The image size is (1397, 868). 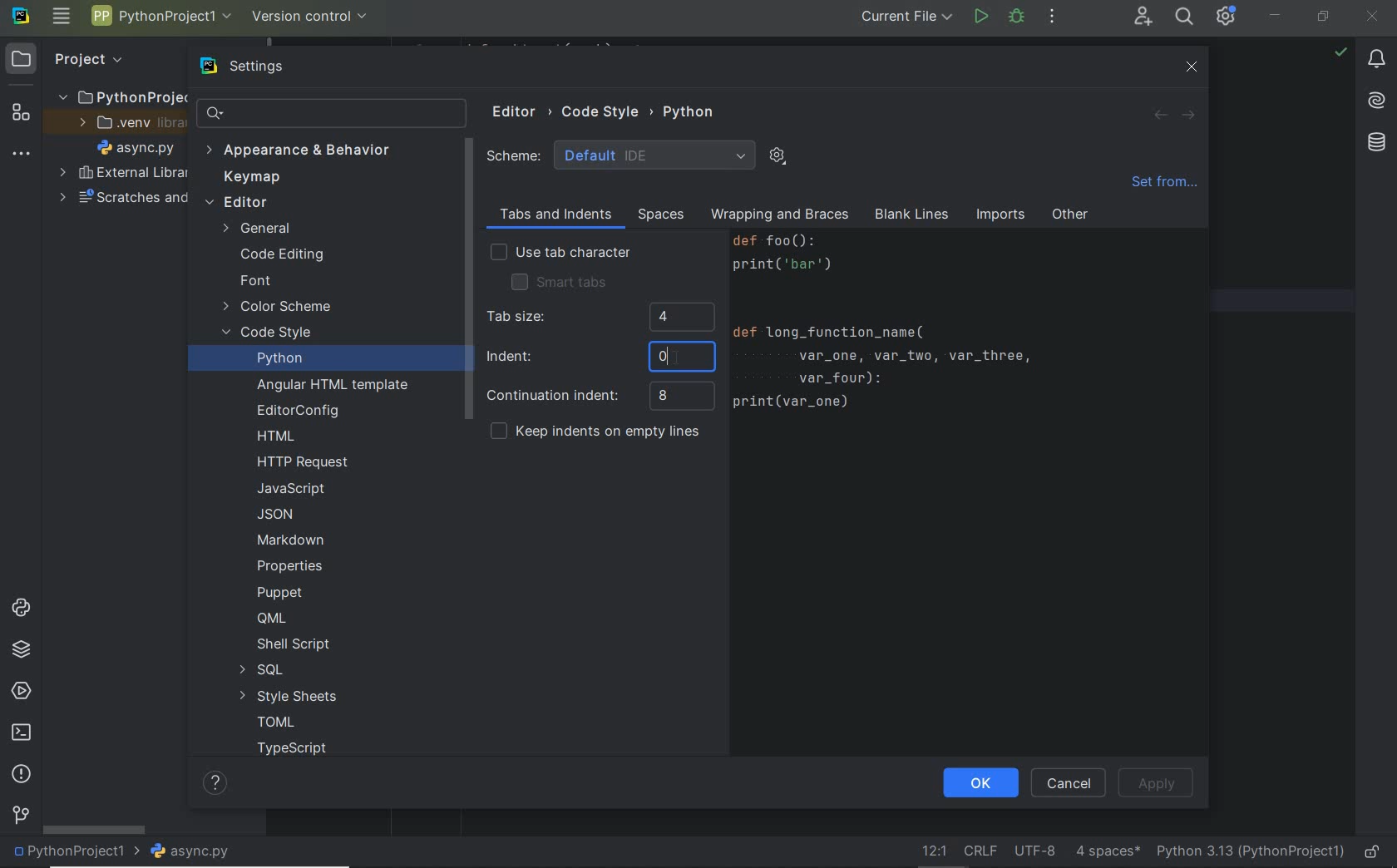 I want to click on General, so click(x=260, y=230).